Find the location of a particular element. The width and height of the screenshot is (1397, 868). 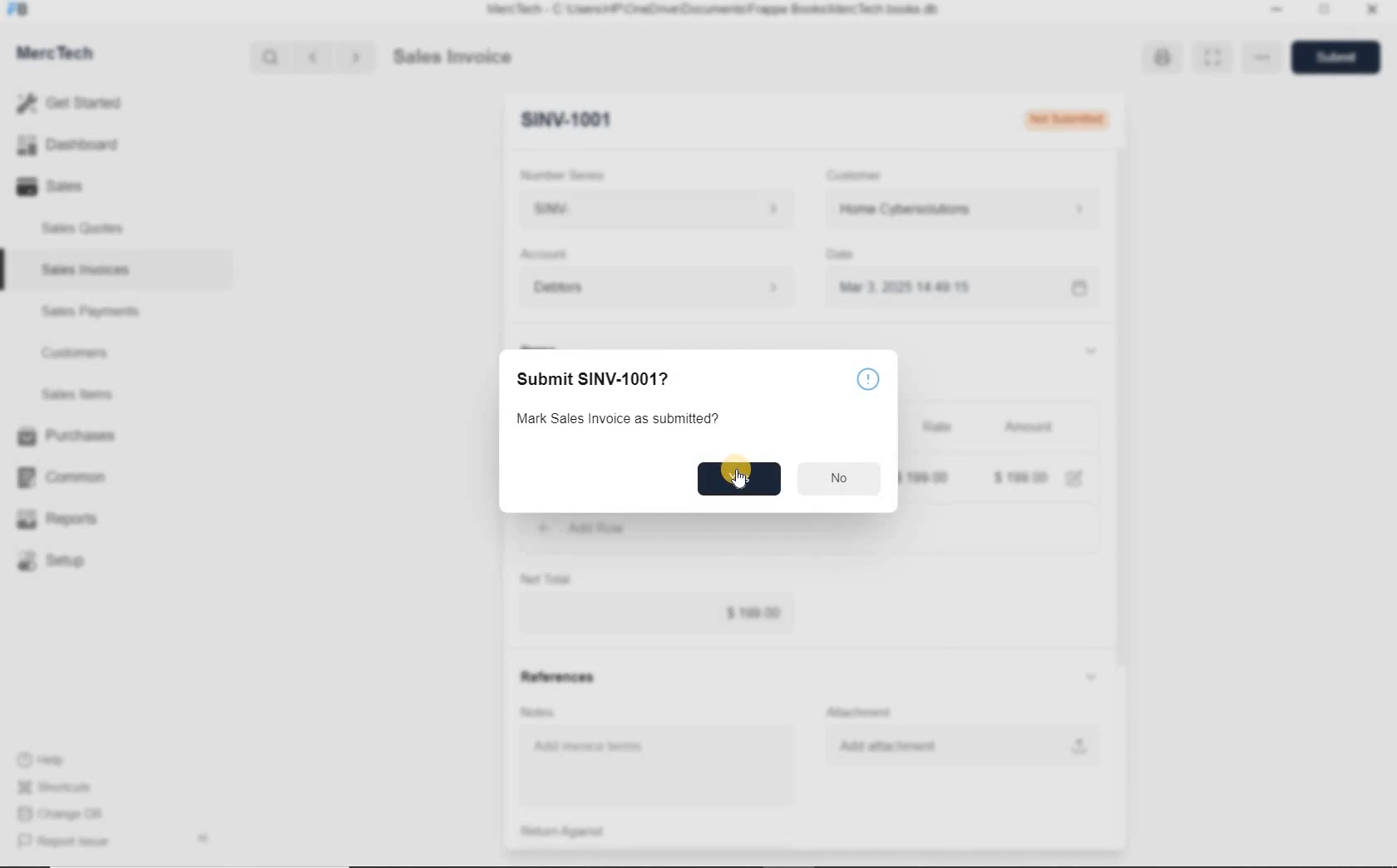

rate: $0.00 is located at coordinates (926, 476).